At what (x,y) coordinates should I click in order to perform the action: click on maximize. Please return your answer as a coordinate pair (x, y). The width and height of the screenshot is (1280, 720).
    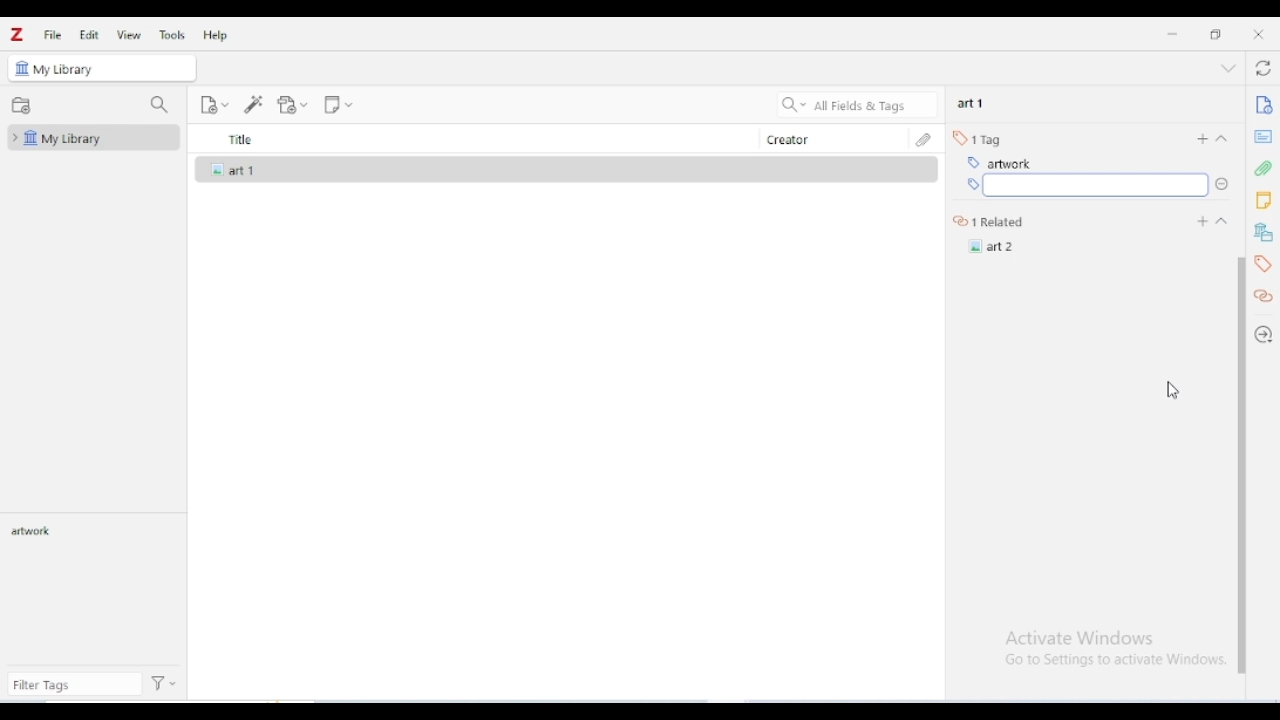
    Looking at the image, I should click on (1218, 34).